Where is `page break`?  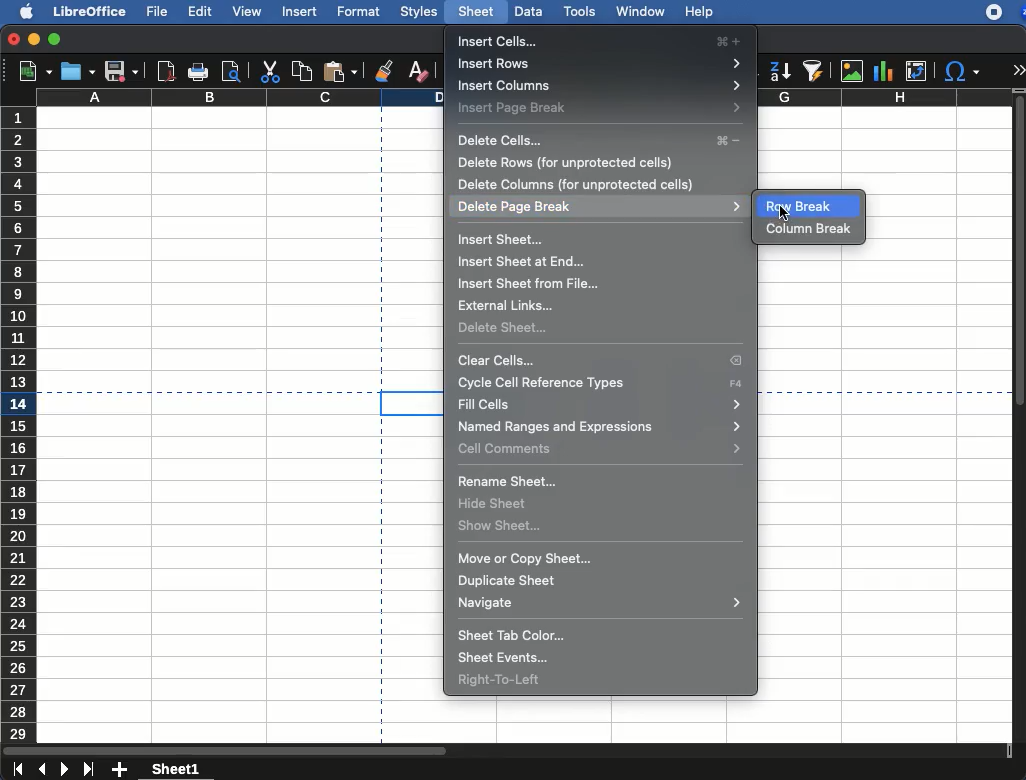
page break is located at coordinates (381, 585).